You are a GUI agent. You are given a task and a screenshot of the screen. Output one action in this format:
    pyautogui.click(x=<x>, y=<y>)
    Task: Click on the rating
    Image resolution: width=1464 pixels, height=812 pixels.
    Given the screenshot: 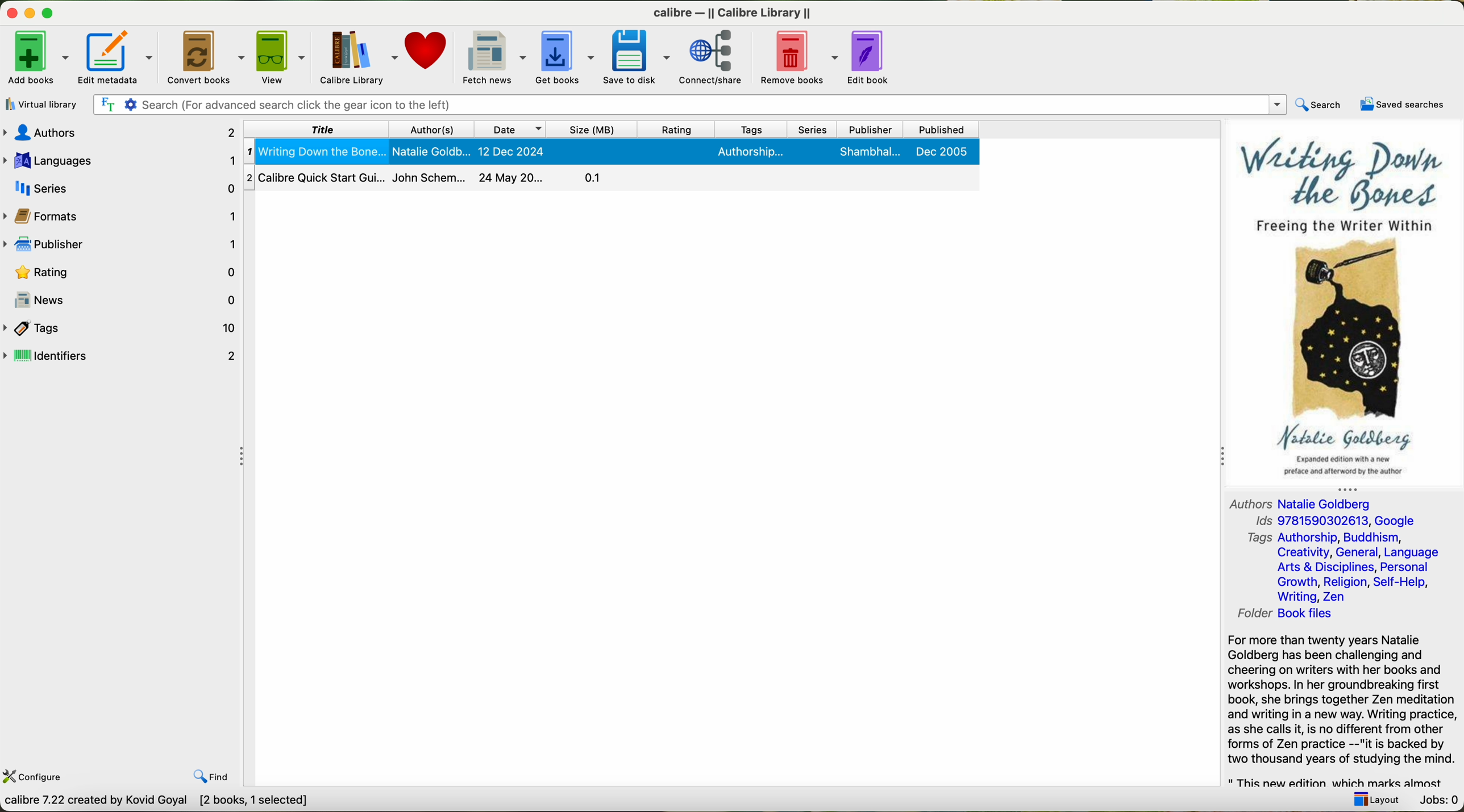 What is the action you would take?
    pyautogui.click(x=675, y=130)
    